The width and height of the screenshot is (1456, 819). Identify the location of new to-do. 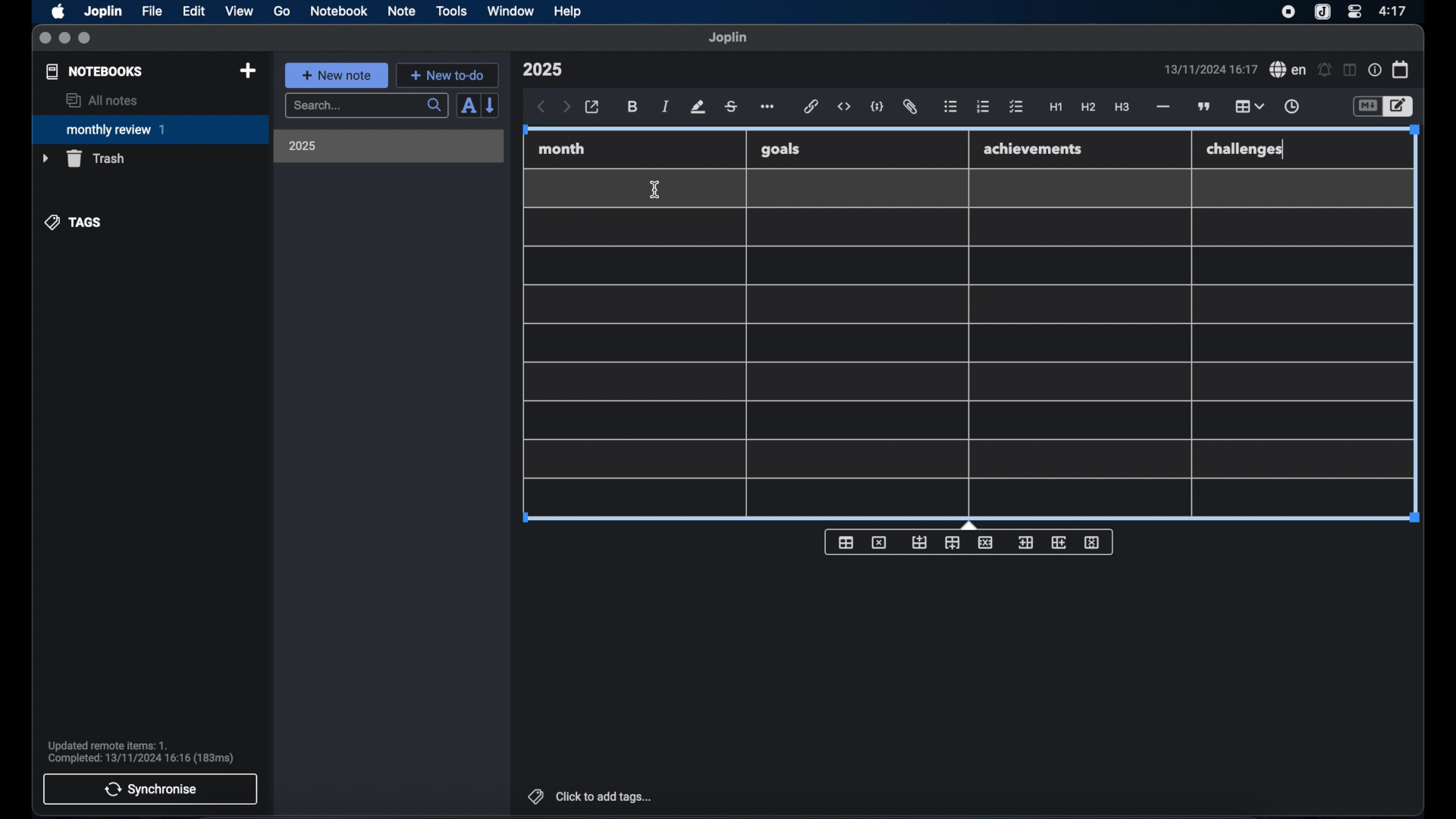
(448, 75).